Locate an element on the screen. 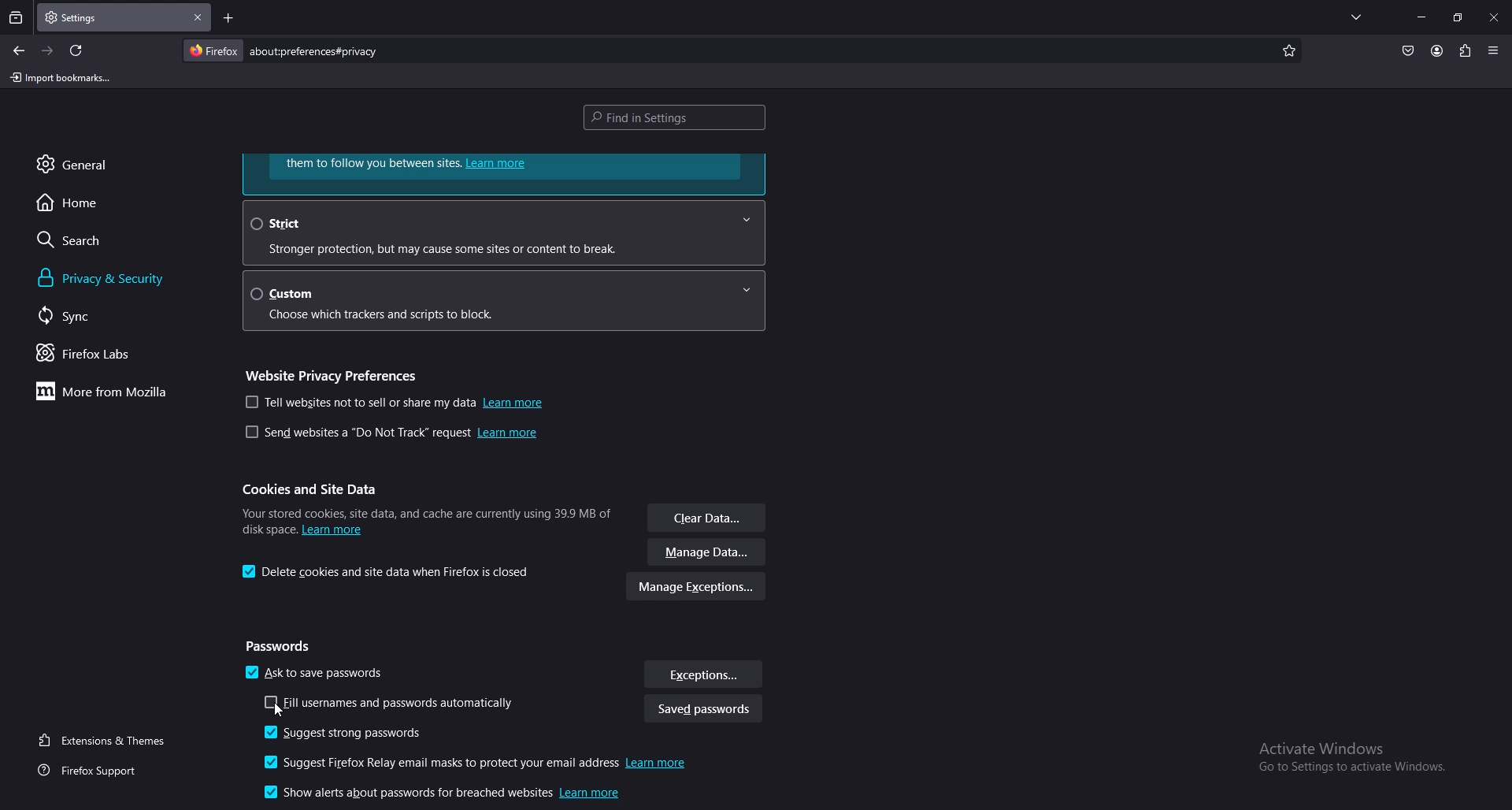 The height and width of the screenshot is (810, 1512). find in settings is located at coordinates (679, 116).